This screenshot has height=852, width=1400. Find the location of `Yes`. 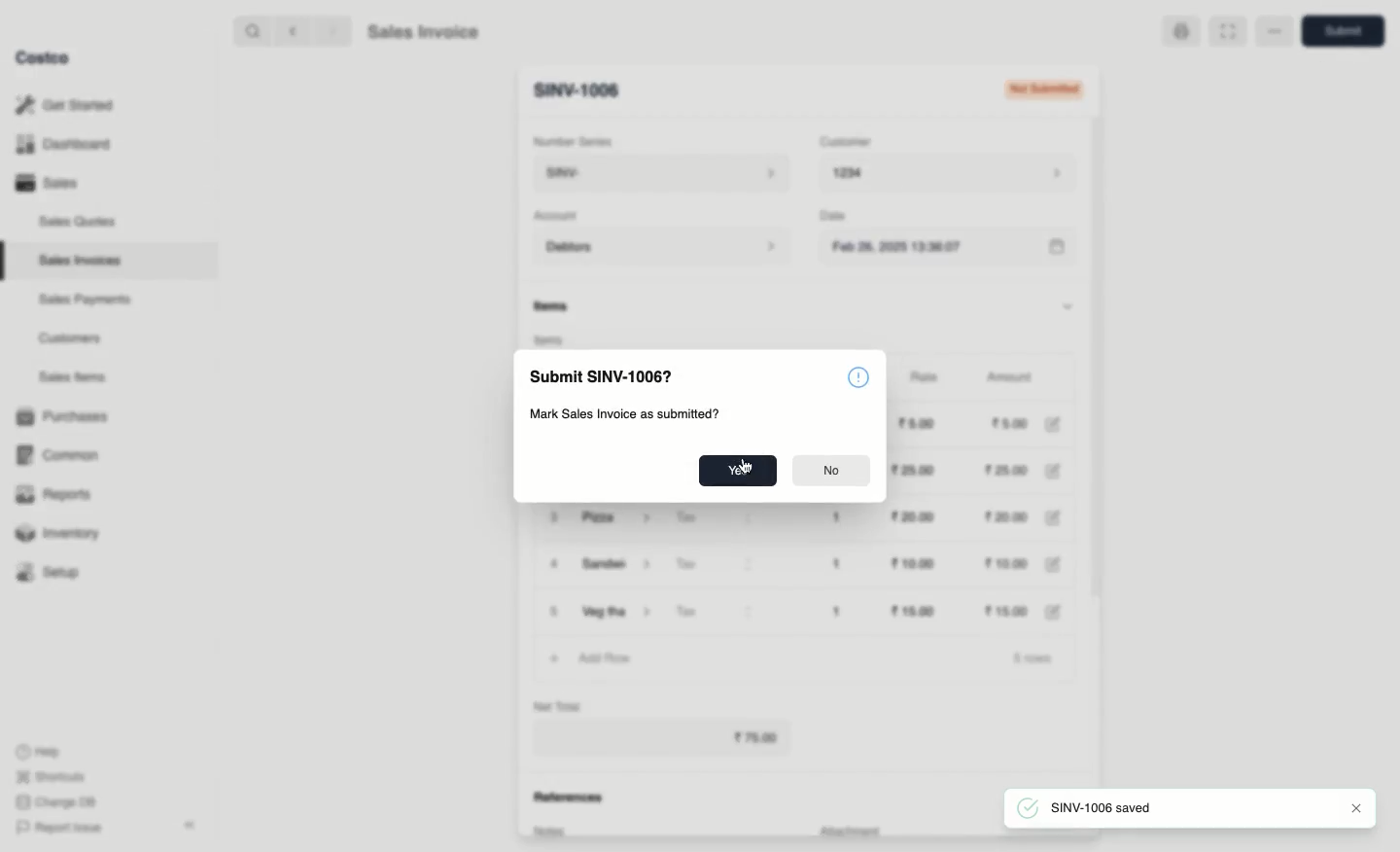

Yes is located at coordinates (738, 472).